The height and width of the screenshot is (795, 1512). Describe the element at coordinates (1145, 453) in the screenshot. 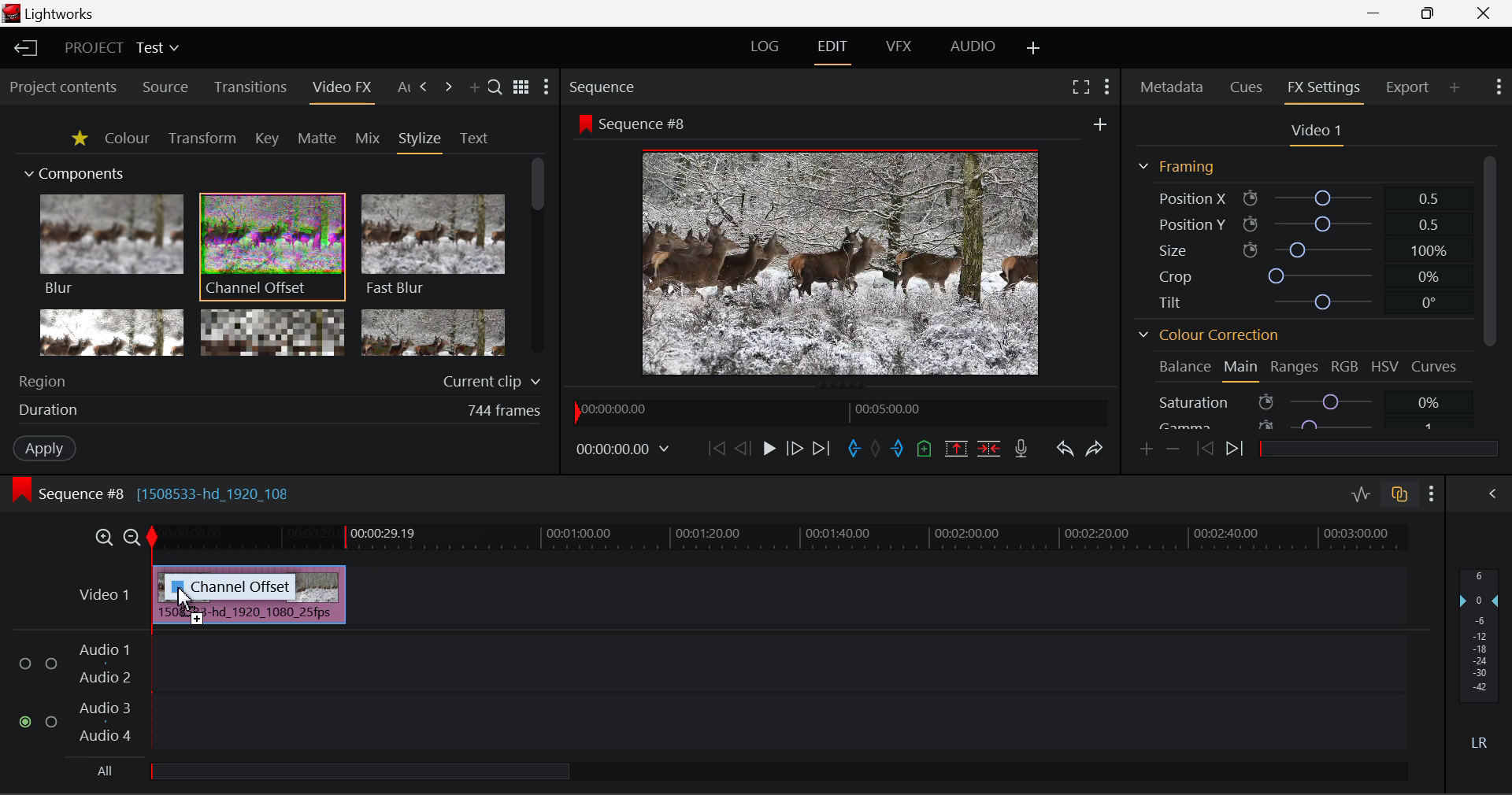

I see `Add keyframe` at that location.